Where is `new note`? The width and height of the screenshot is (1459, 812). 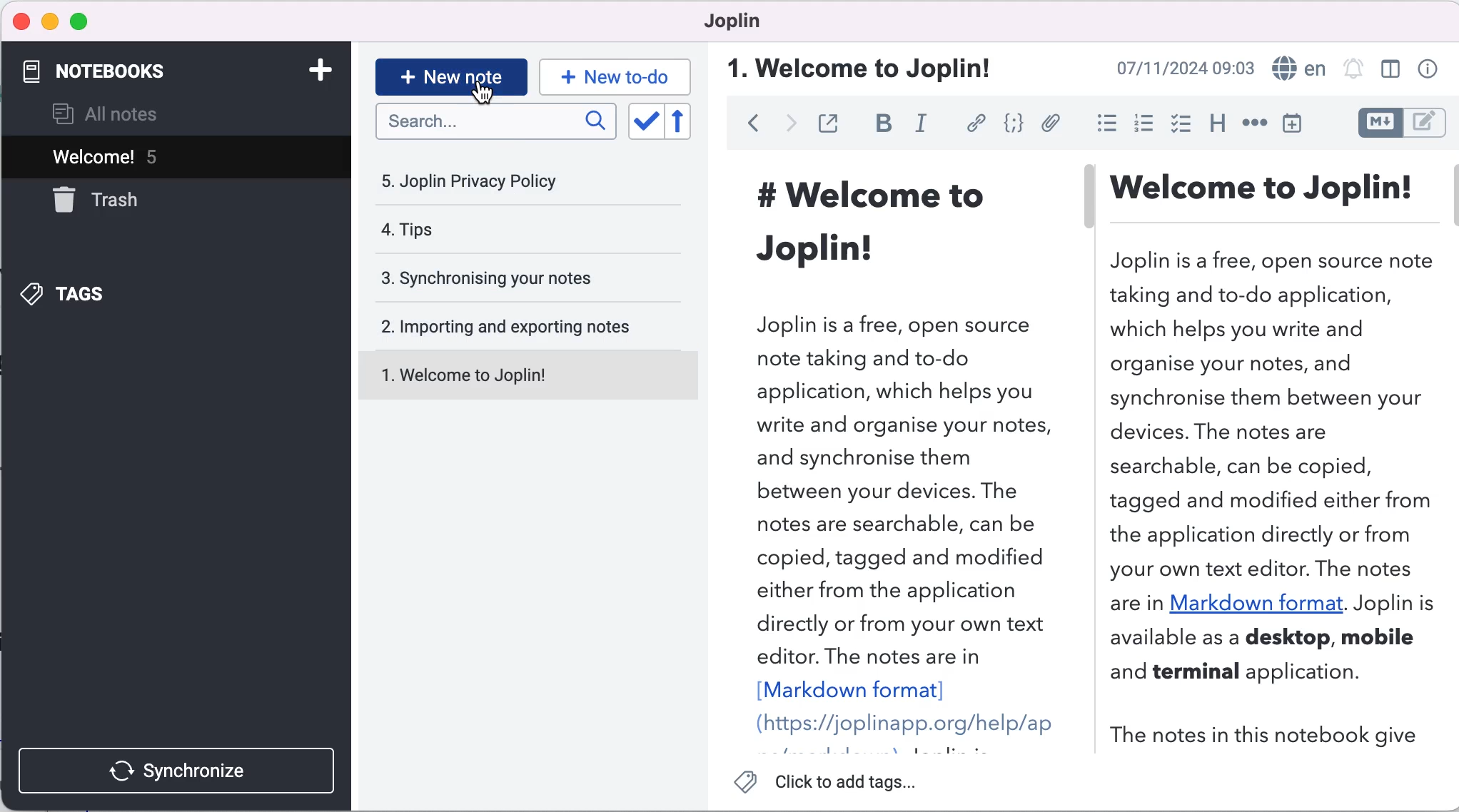 new note is located at coordinates (450, 75).